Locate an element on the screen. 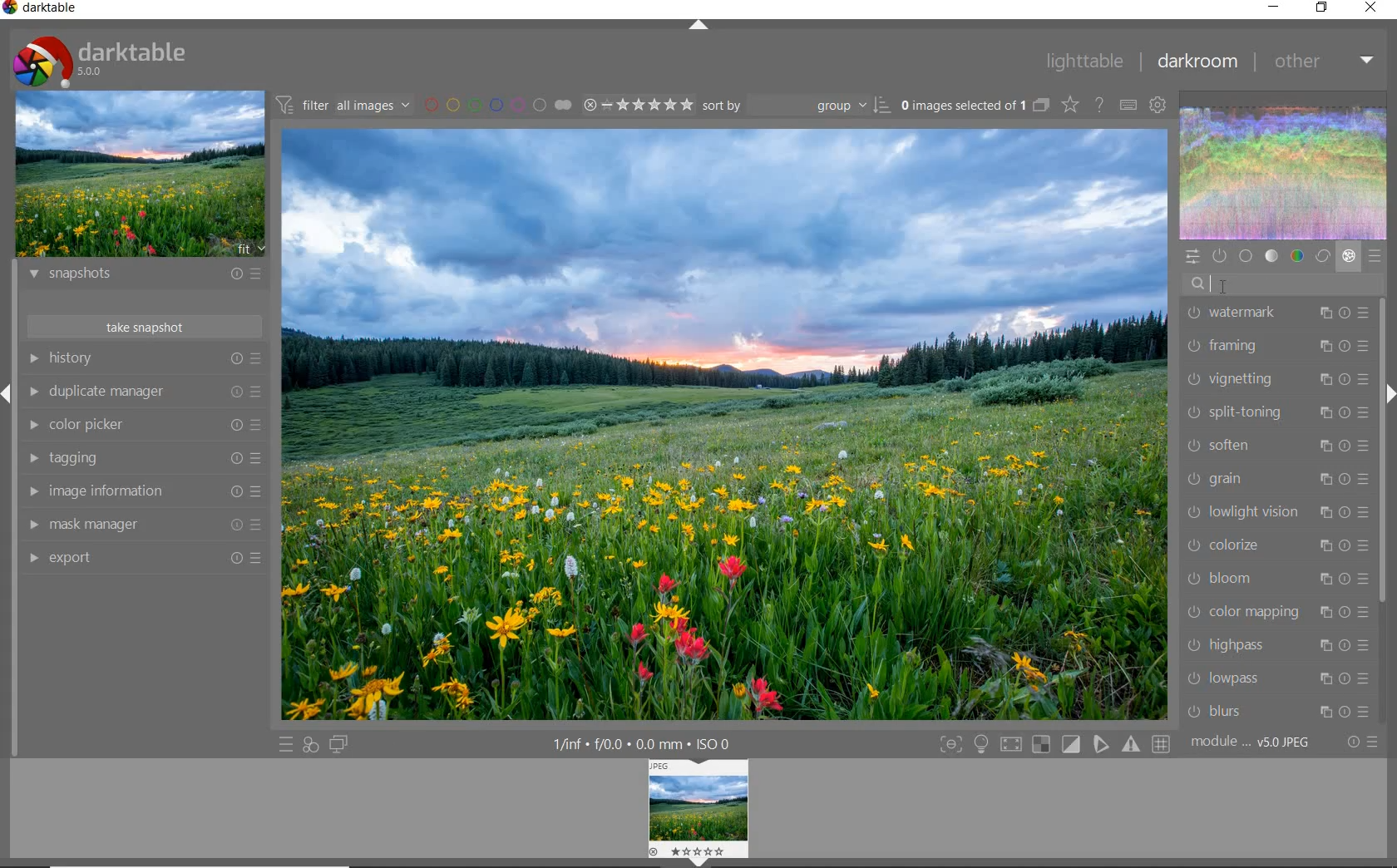  lowlight vision is located at coordinates (1271, 513).